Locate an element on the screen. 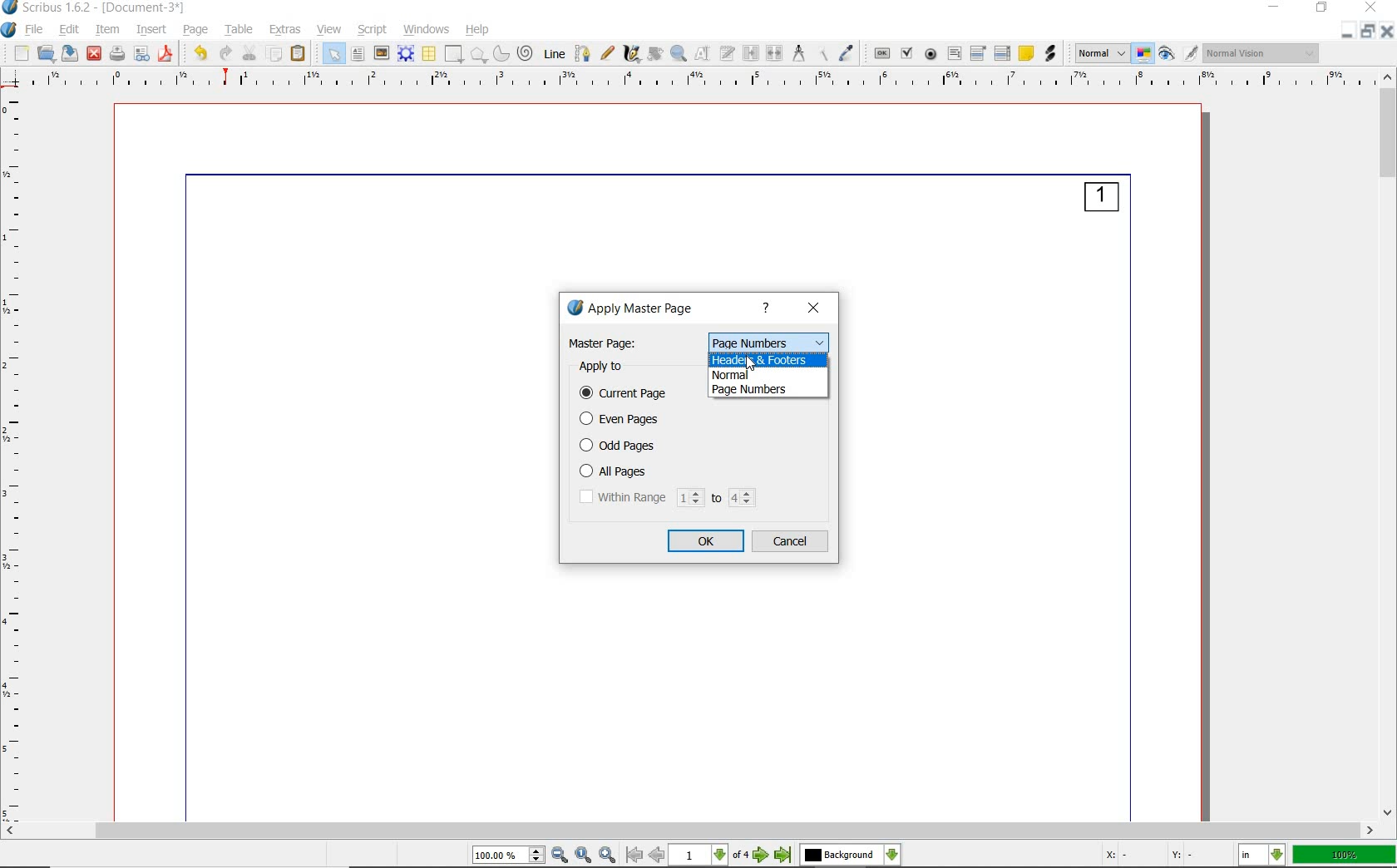 This screenshot has width=1397, height=868. select the current layer is located at coordinates (851, 856).